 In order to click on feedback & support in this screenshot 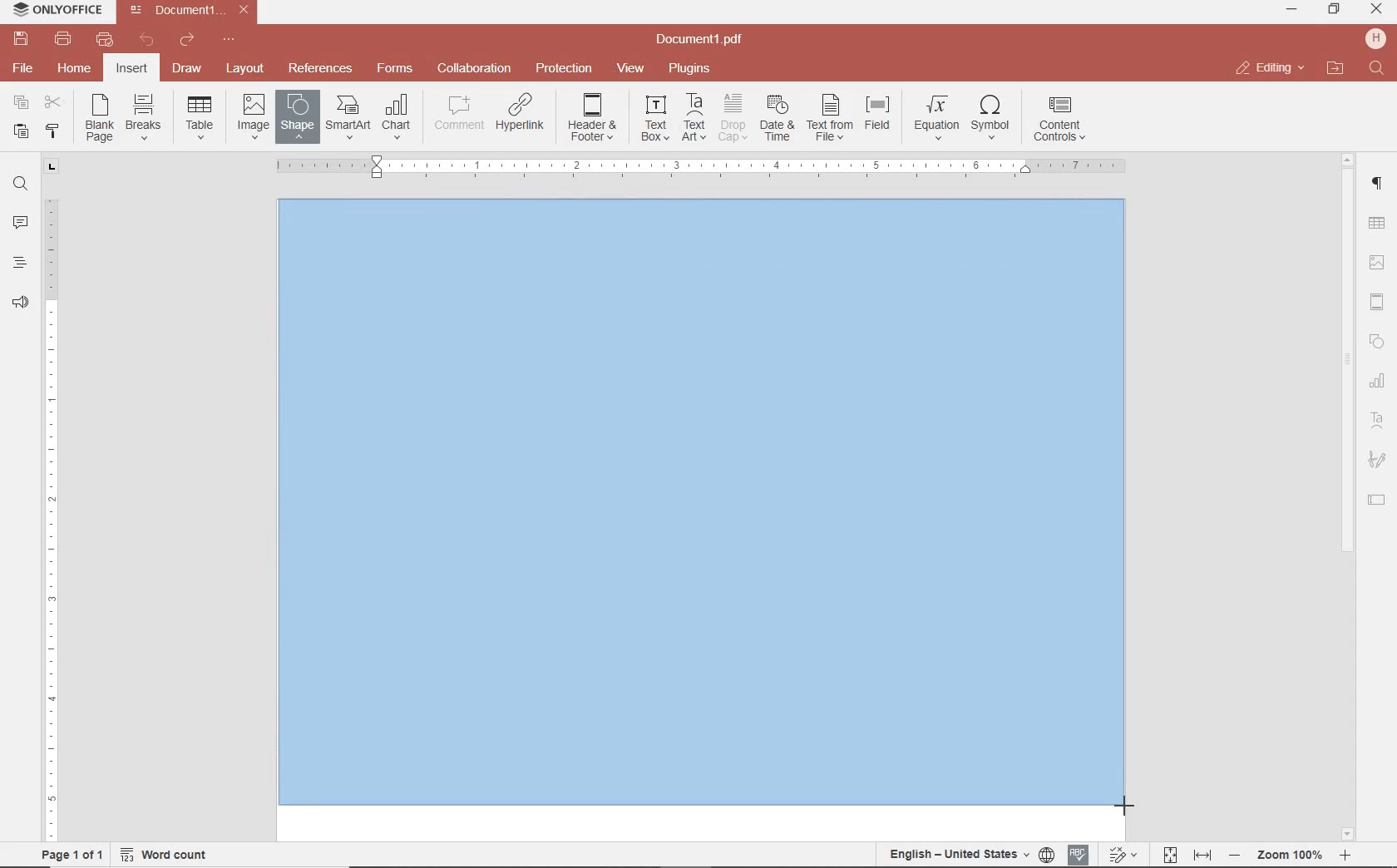, I will do `click(21, 303)`.